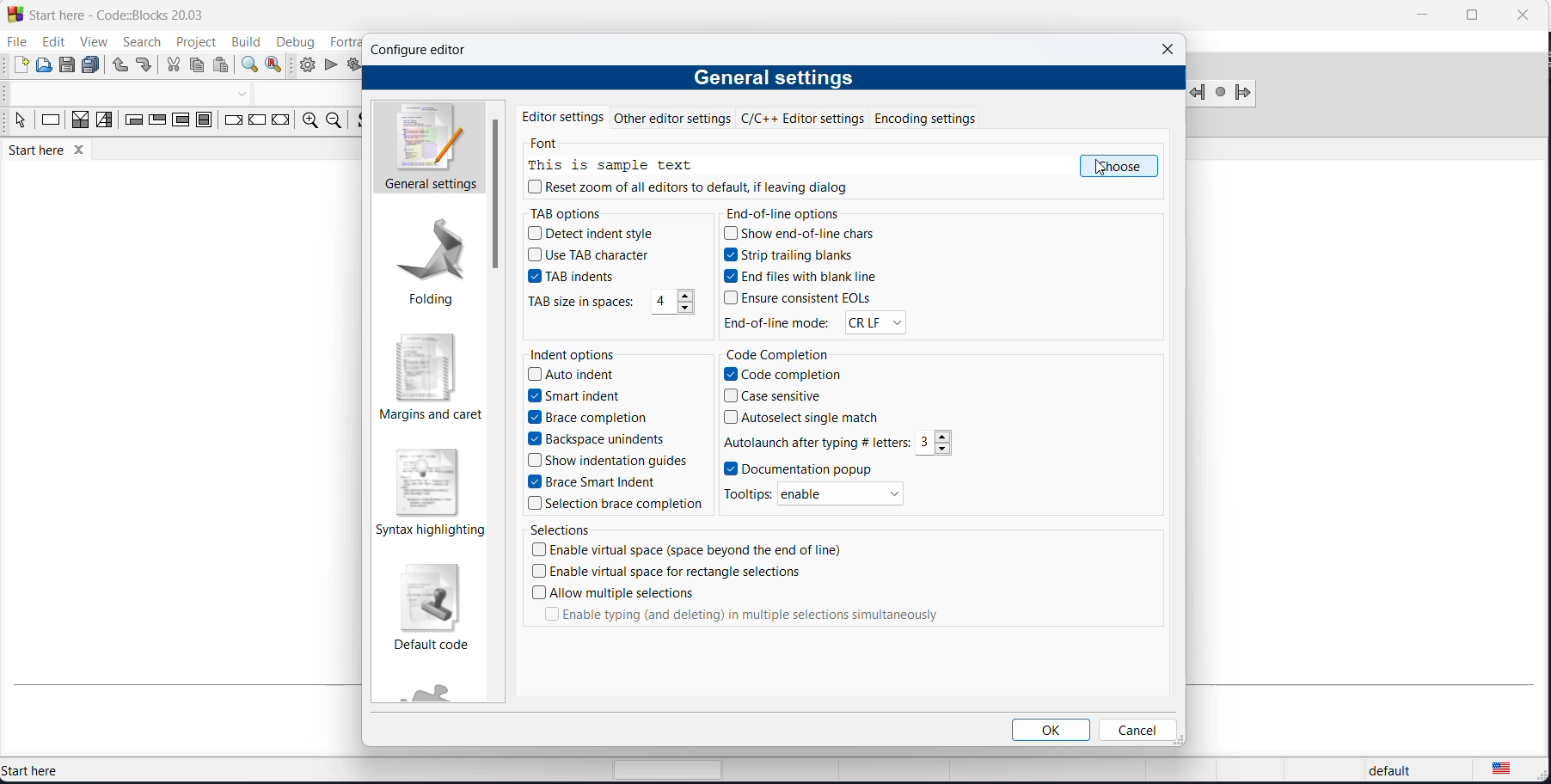  I want to click on auto indent , so click(577, 374).